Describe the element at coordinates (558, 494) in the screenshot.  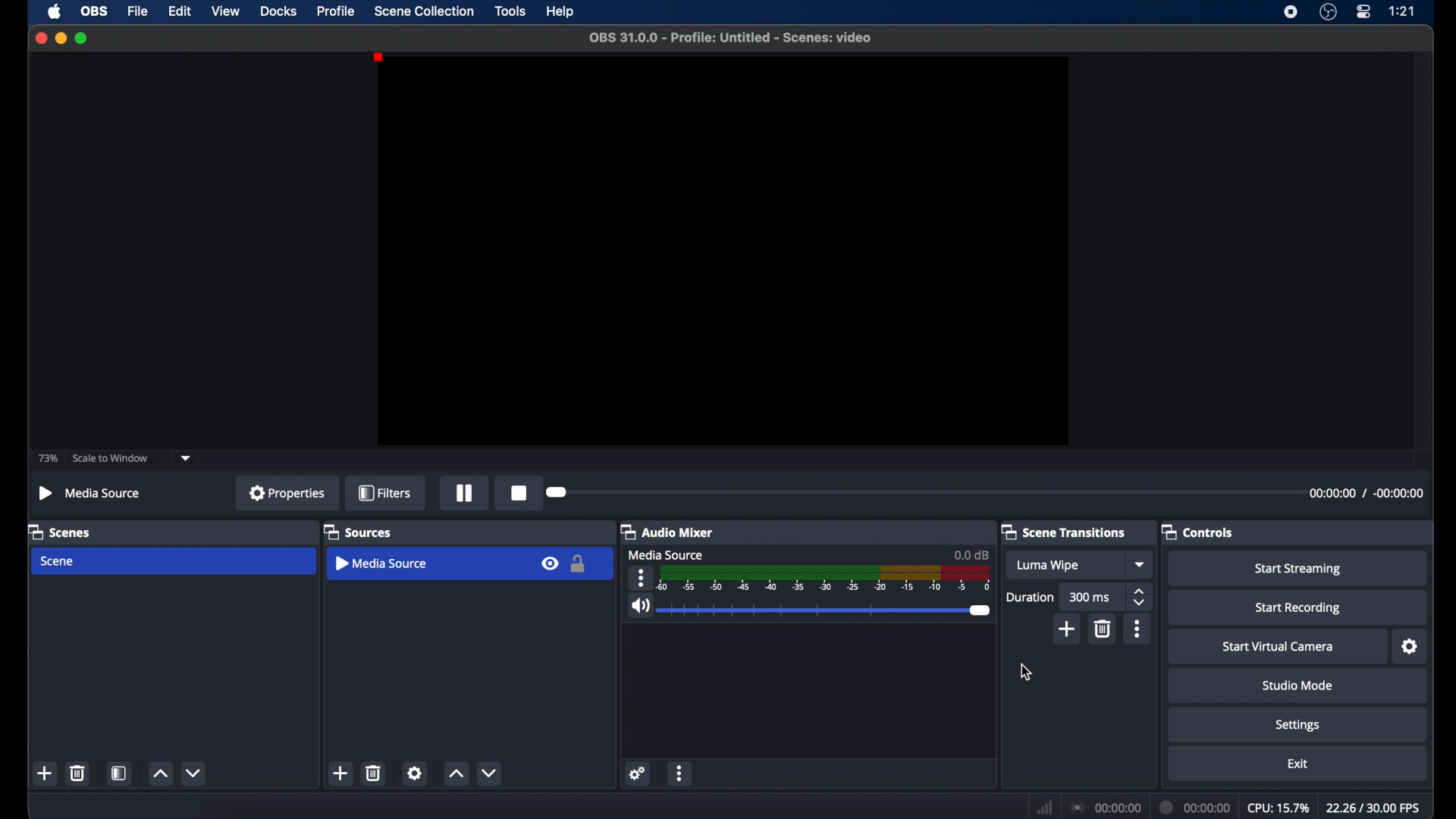
I see `slider` at that location.